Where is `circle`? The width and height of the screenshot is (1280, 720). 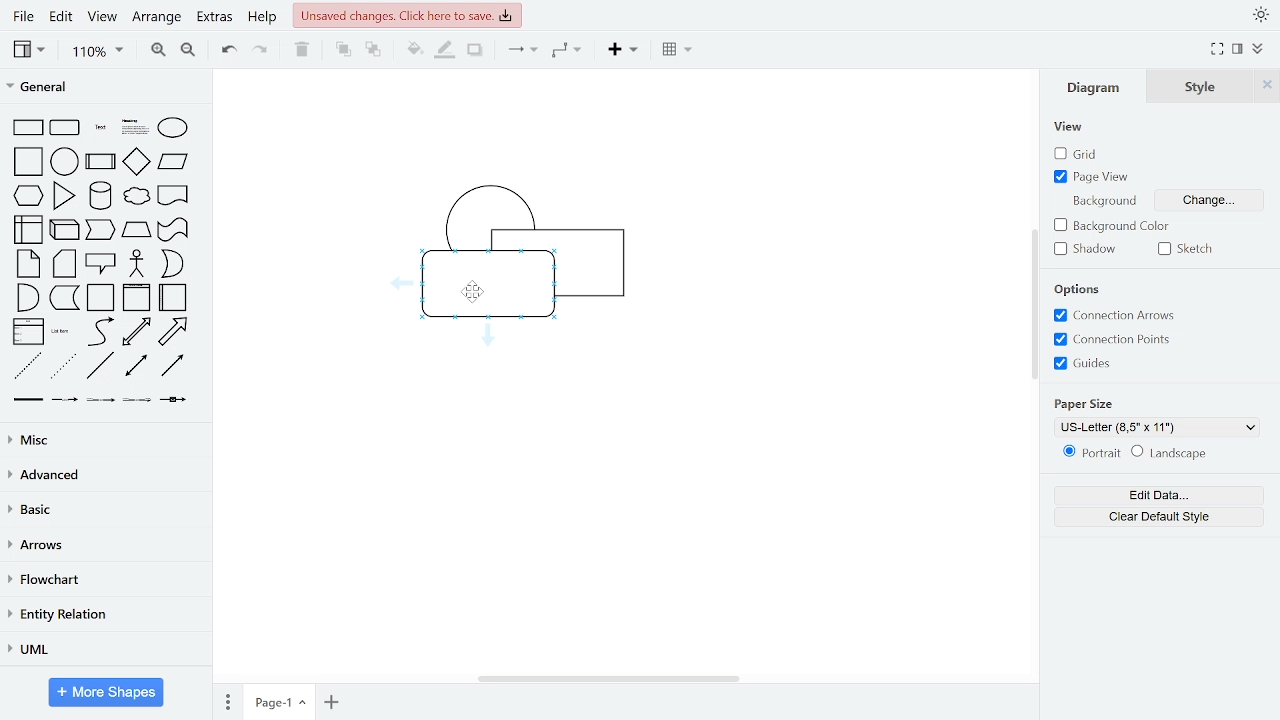 circle is located at coordinates (65, 163).